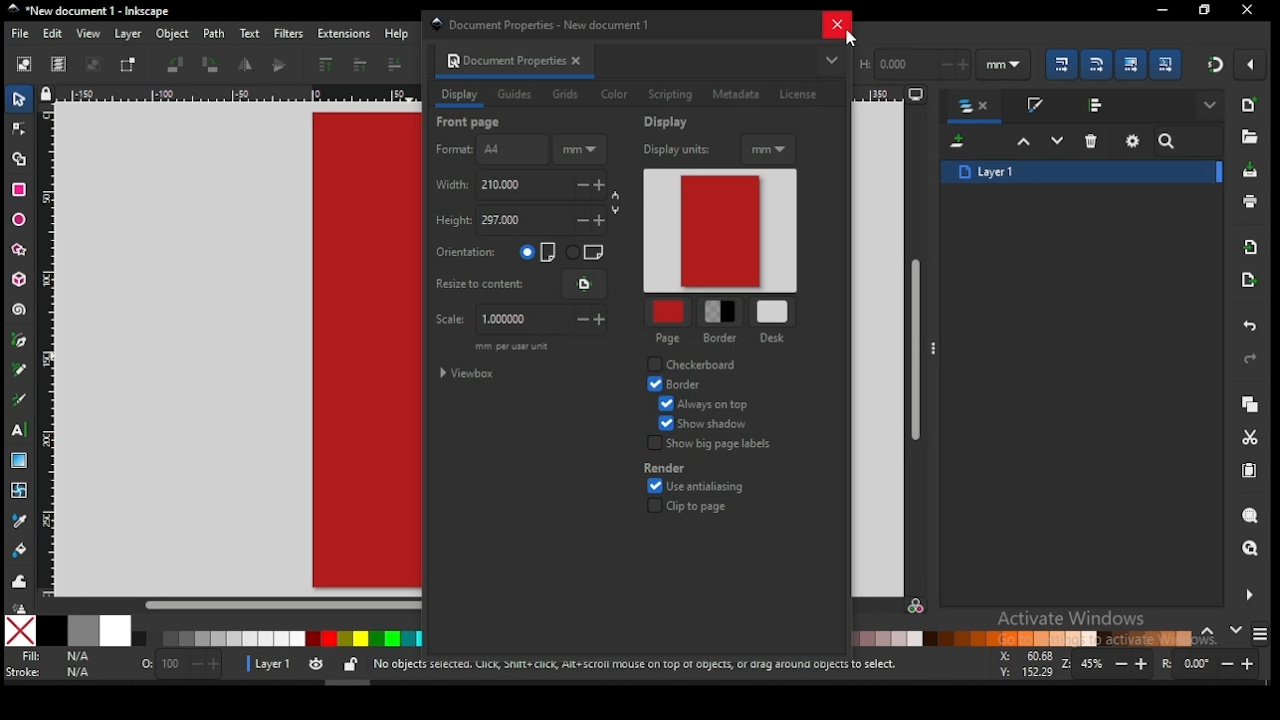 Image resolution: width=1280 pixels, height=720 pixels. I want to click on rectangle tool, so click(19, 190).